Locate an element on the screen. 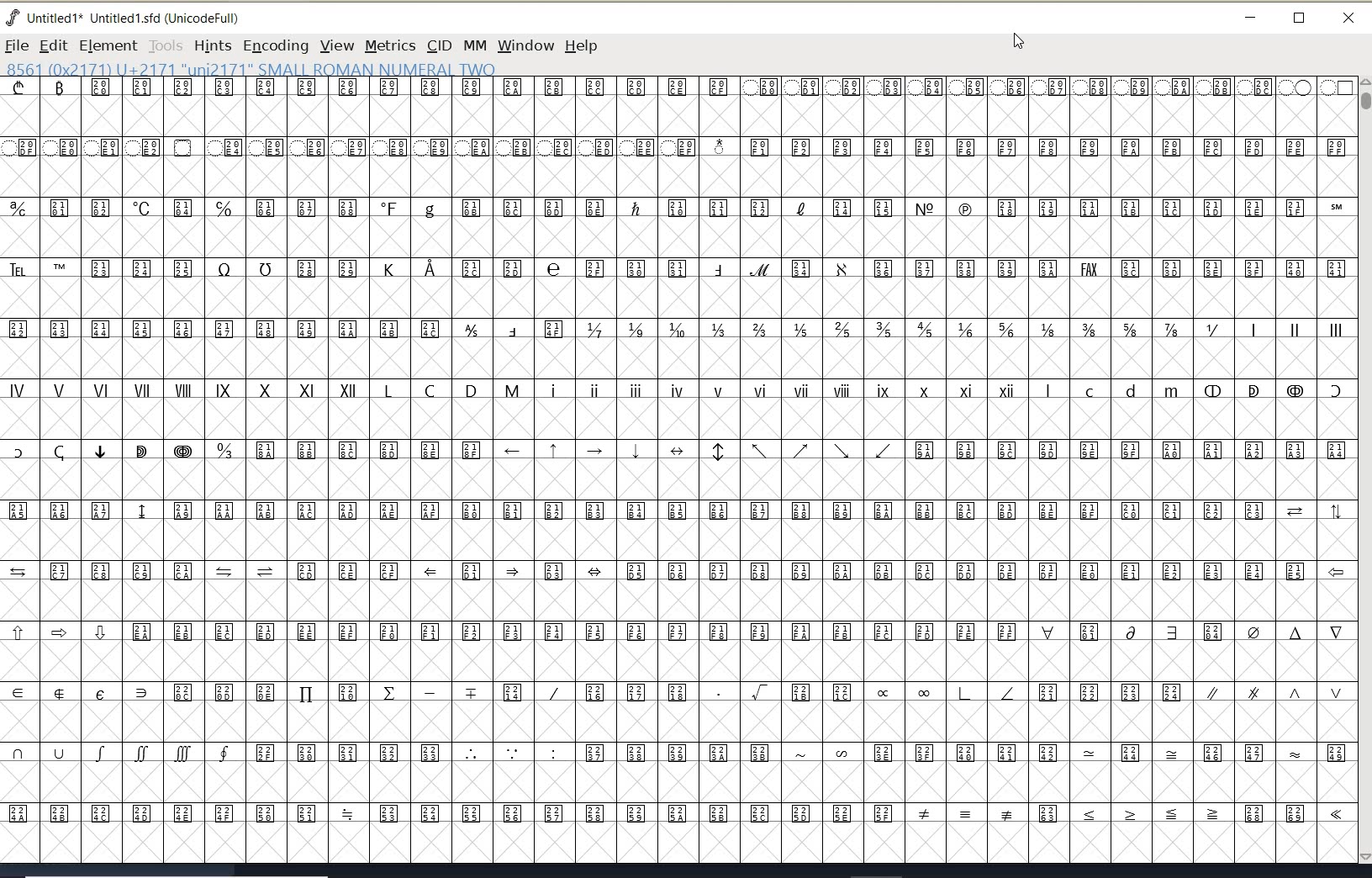 Image resolution: width=1372 pixels, height=878 pixels. METRICS is located at coordinates (390, 45).